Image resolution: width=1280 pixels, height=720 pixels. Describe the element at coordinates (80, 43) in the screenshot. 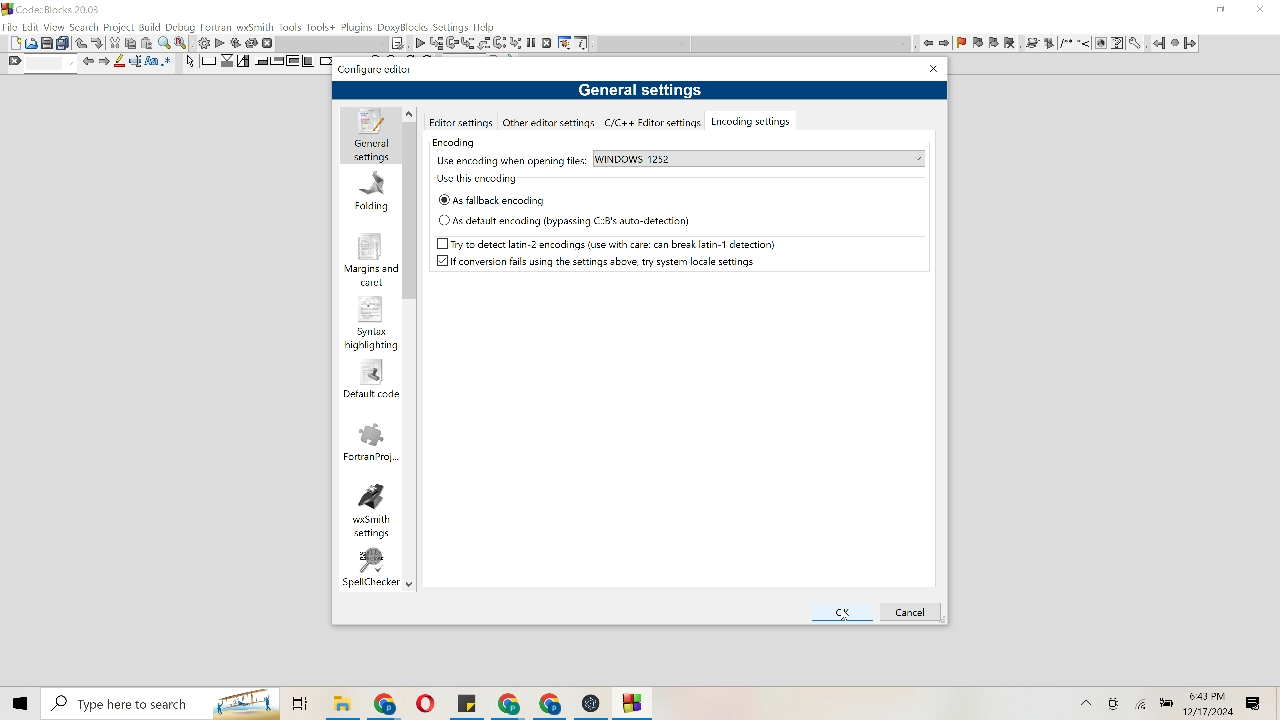

I see `Move up or down` at that location.